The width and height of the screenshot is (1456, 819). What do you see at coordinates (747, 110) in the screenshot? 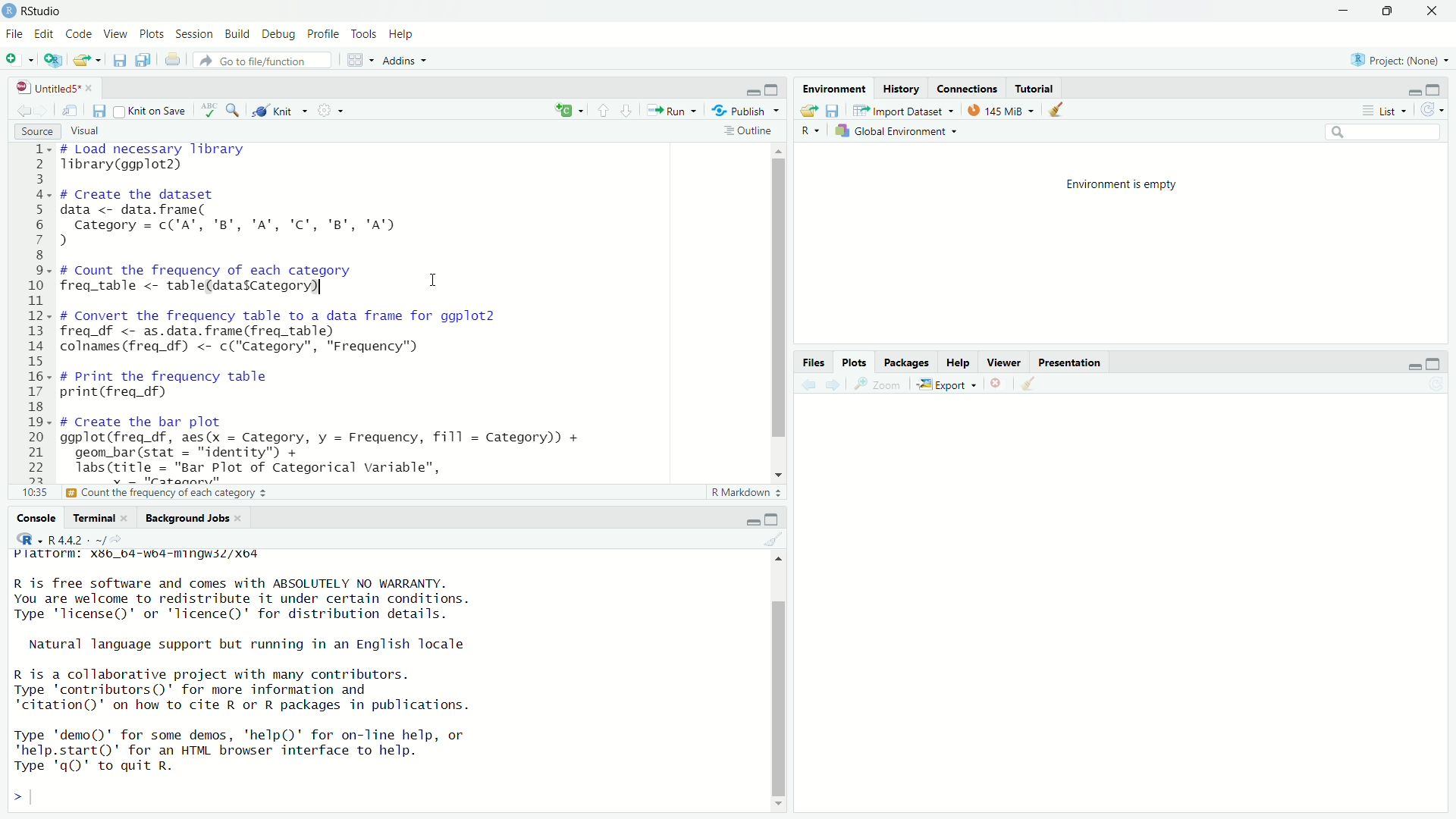
I see `Publish` at bounding box center [747, 110].